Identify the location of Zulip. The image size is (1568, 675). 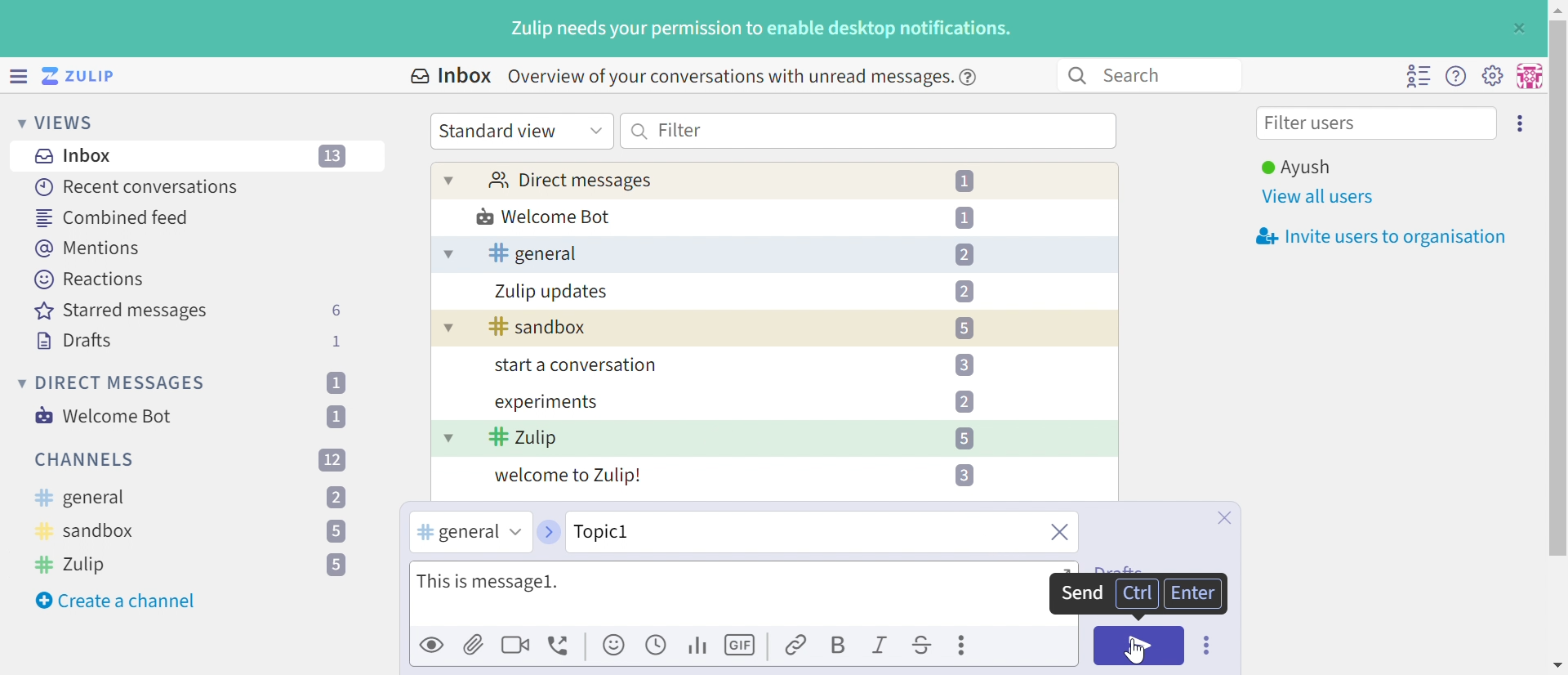
(74, 564).